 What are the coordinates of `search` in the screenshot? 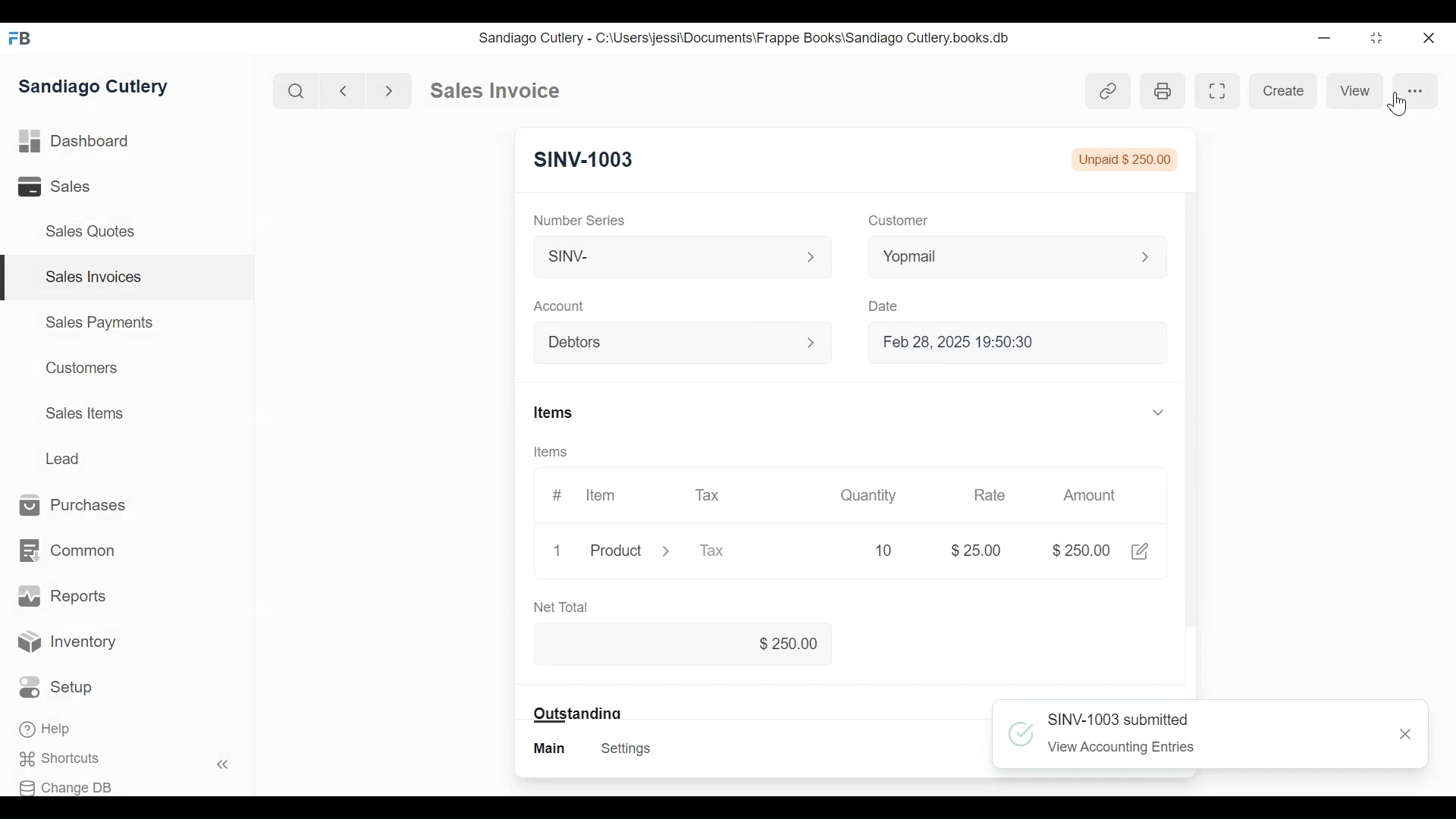 It's located at (297, 92).